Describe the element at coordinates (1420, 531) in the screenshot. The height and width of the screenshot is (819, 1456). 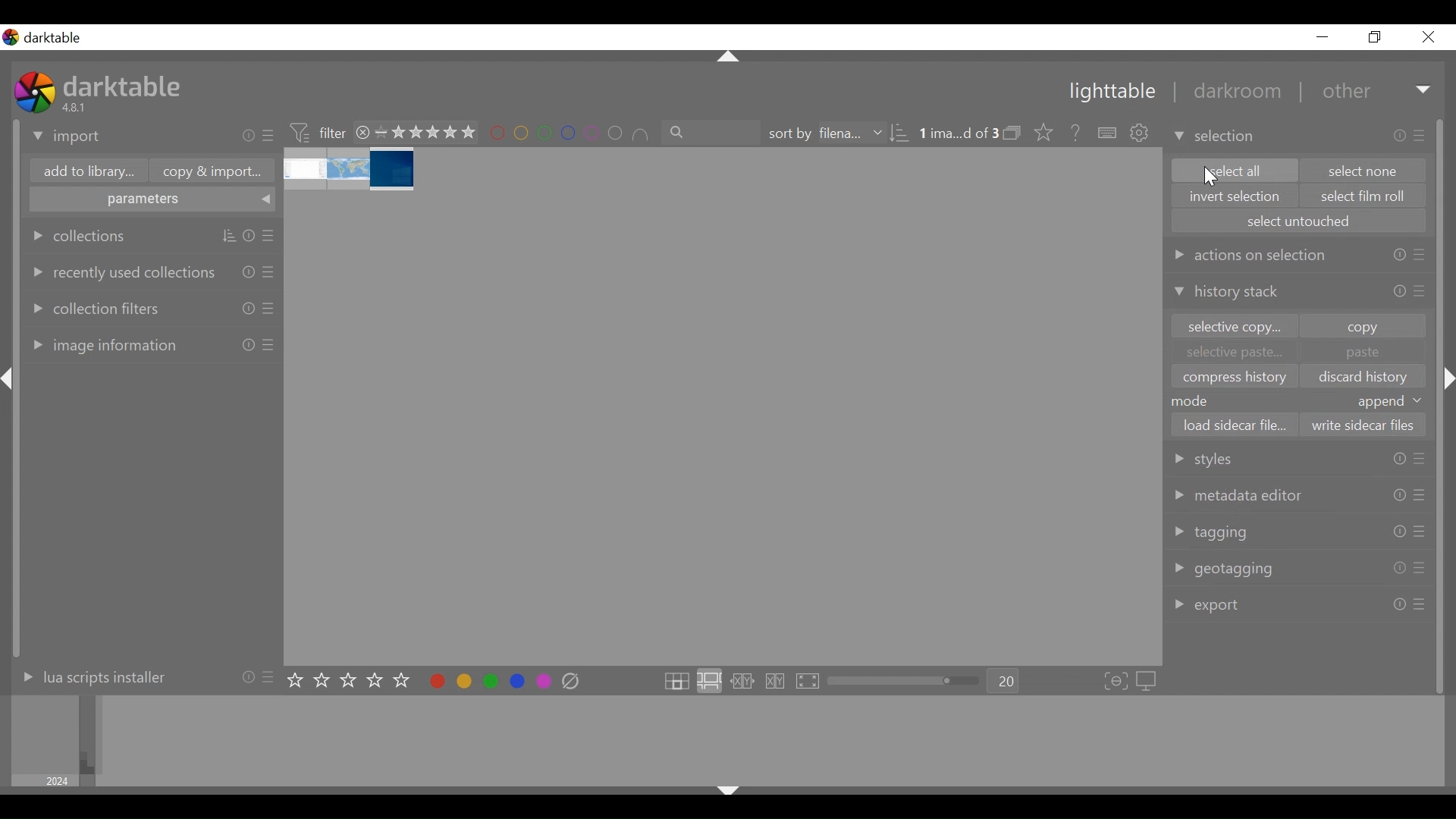
I see `presets` at that location.